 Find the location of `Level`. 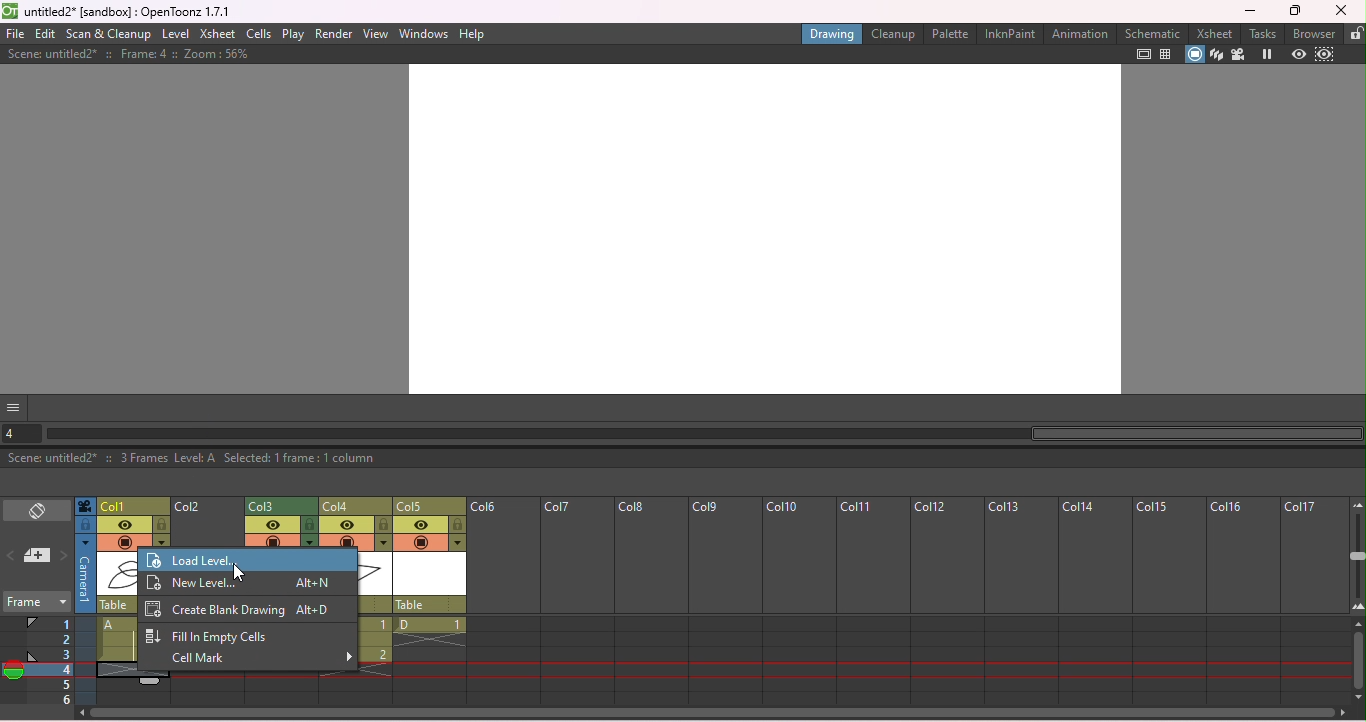

Level is located at coordinates (175, 35).